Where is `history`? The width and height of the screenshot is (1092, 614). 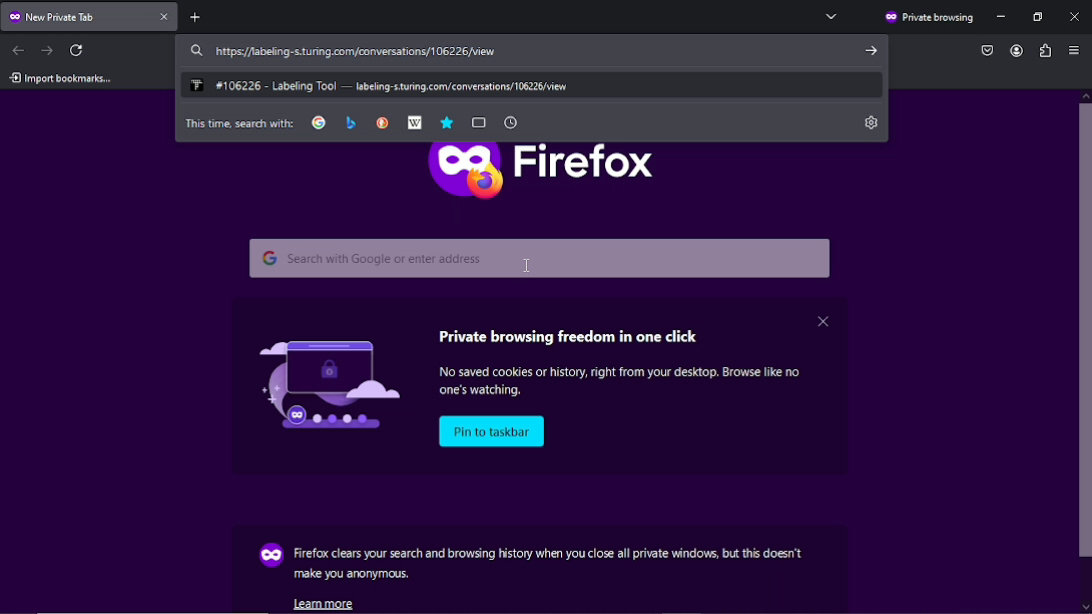
history is located at coordinates (510, 122).